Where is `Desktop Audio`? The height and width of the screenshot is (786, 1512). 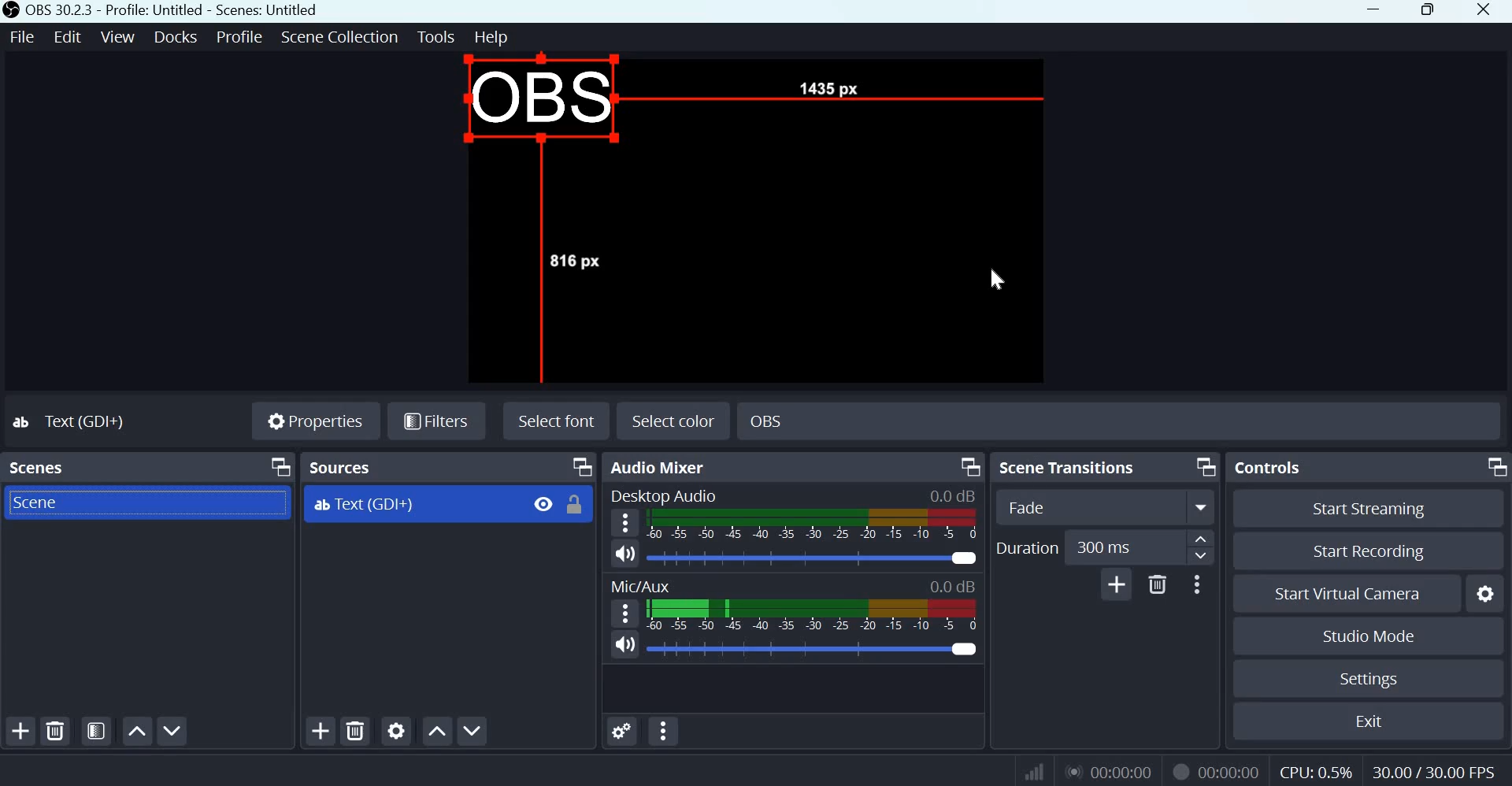
Desktop Audio is located at coordinates (665, 495).